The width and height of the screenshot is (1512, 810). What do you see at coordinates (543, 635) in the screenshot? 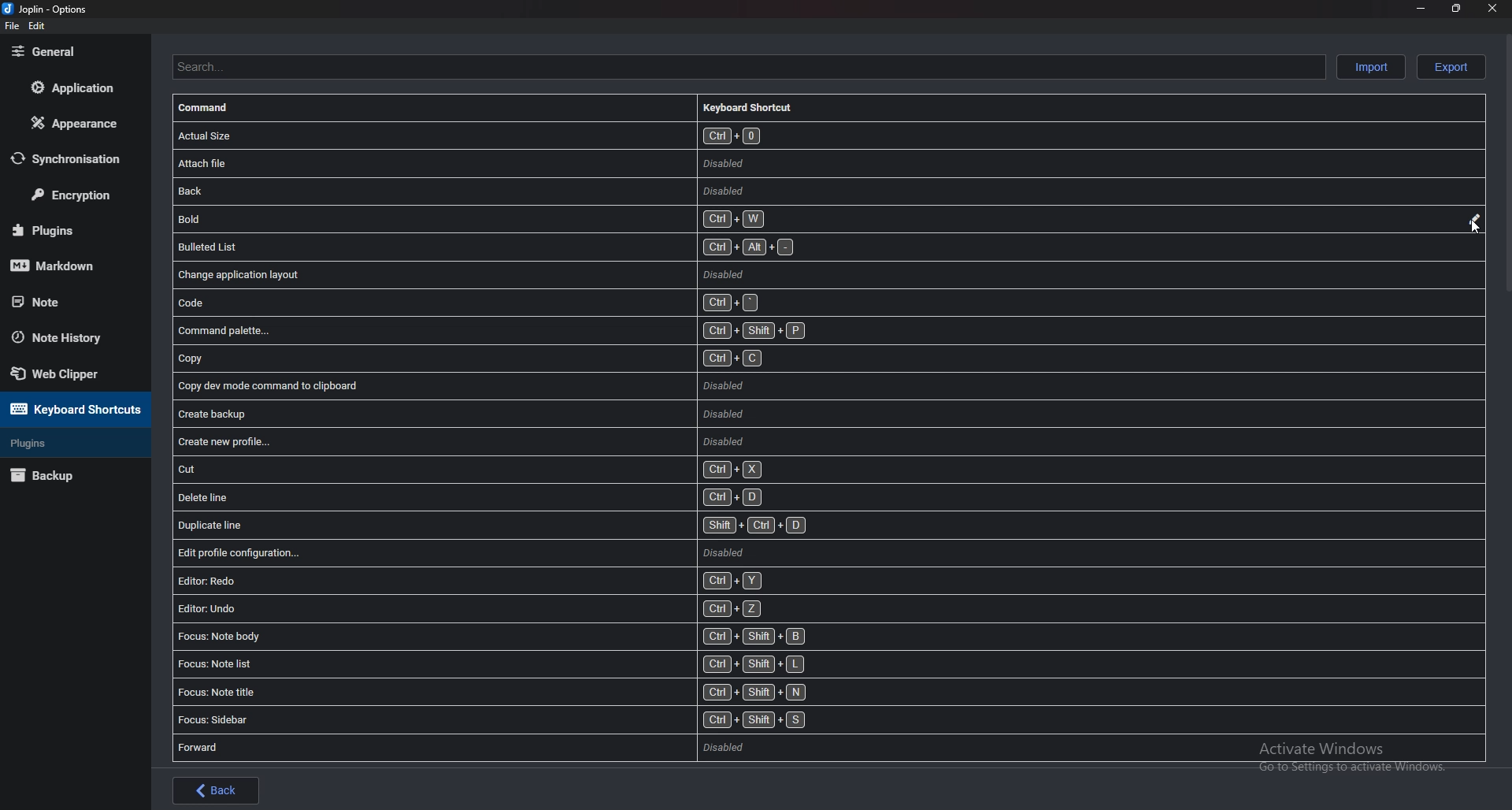
I see `Focus note body` at bounding box center [543, 635].